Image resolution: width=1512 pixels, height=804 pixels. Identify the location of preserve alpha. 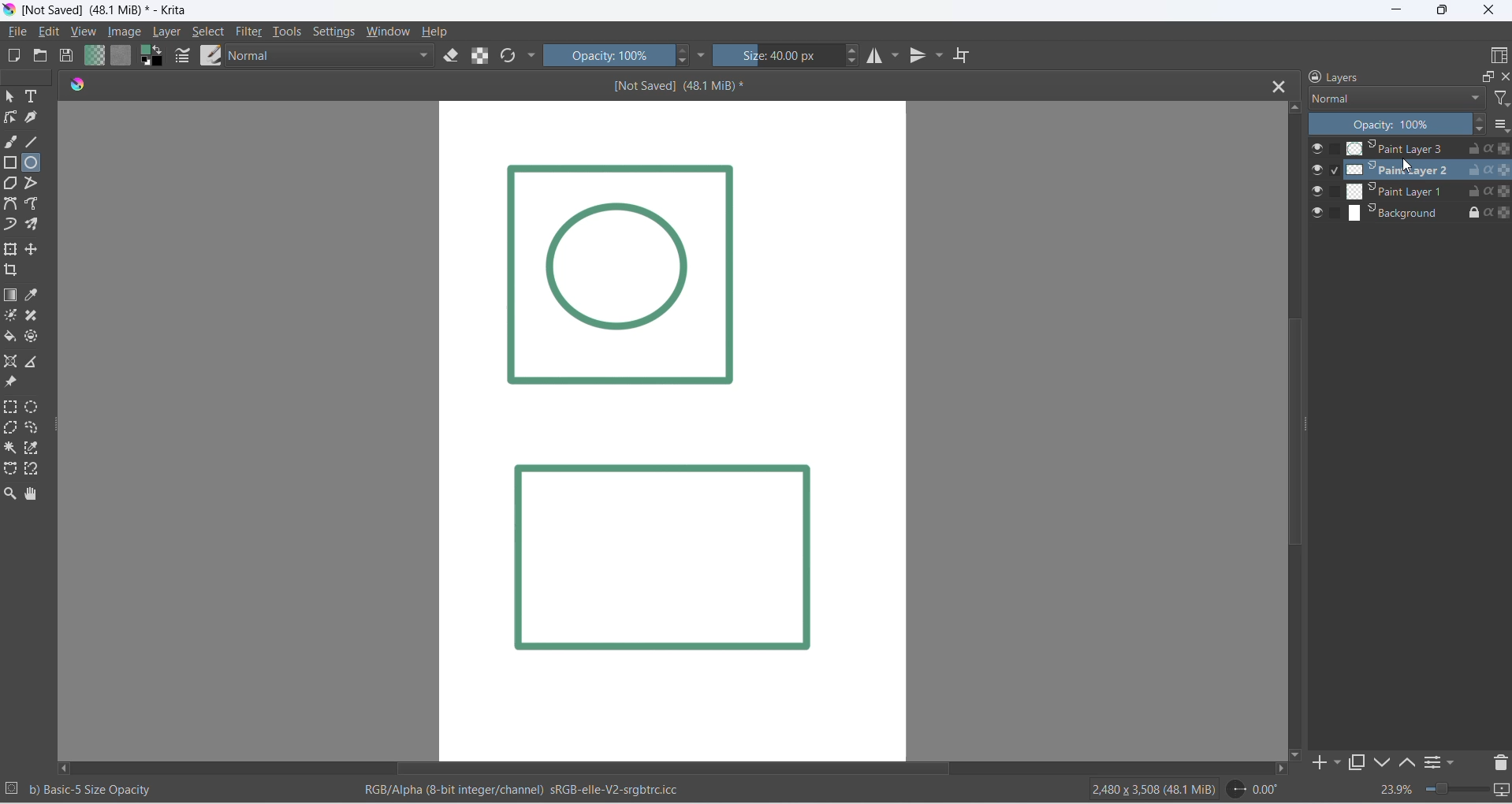
(1497, 148).